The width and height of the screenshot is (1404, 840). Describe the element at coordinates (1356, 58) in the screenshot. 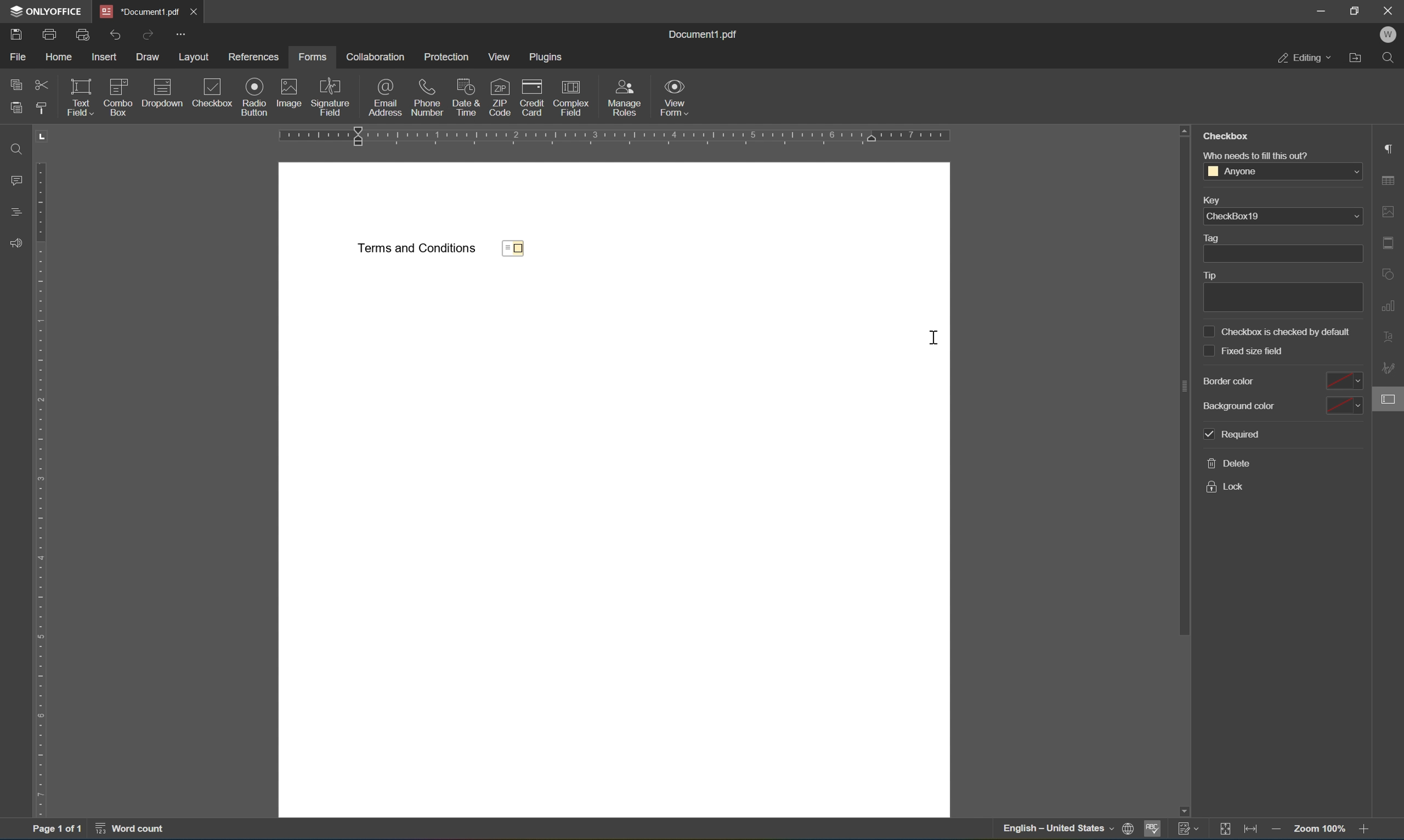

I see `open file location` at that location.